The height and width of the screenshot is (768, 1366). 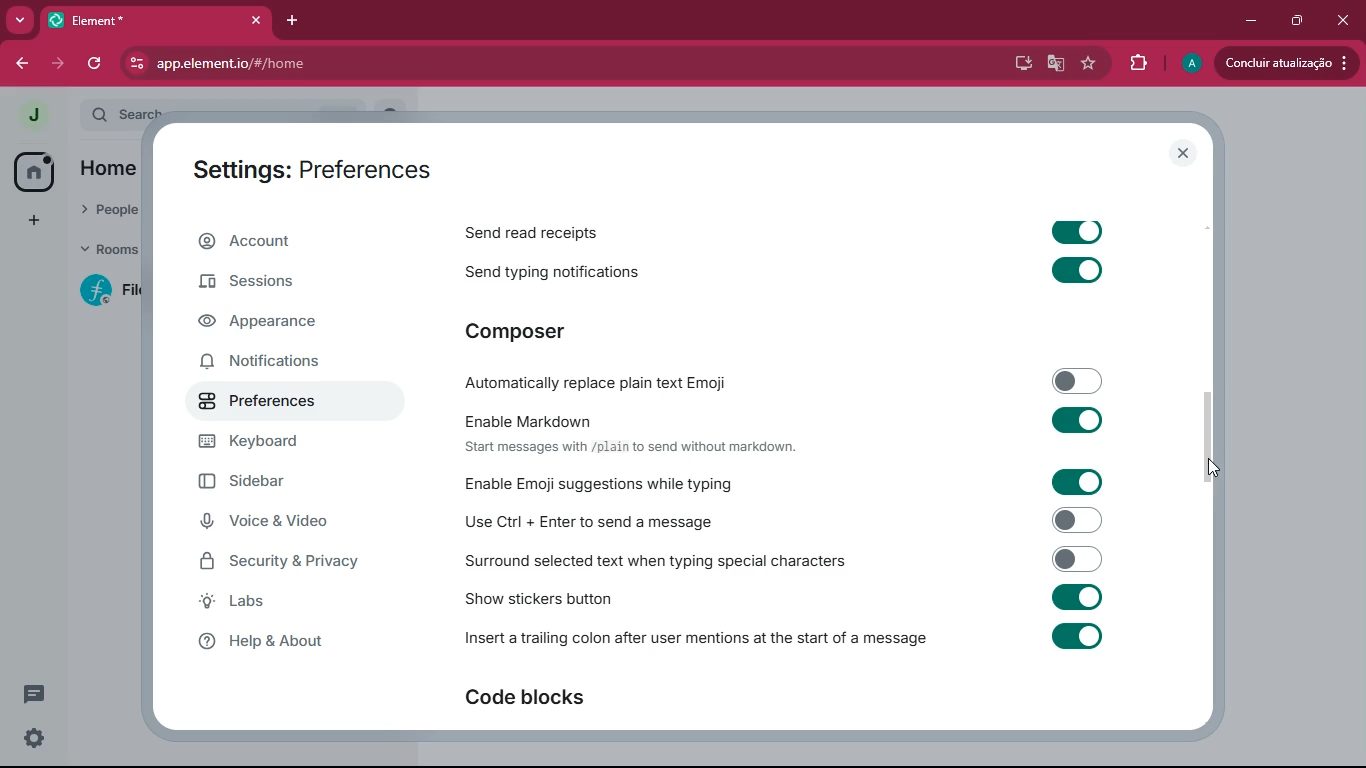 What do you see at coordinates (794, 272) in the screenshot?
I see `Send typing notifications` at bounding box center [794, 272].